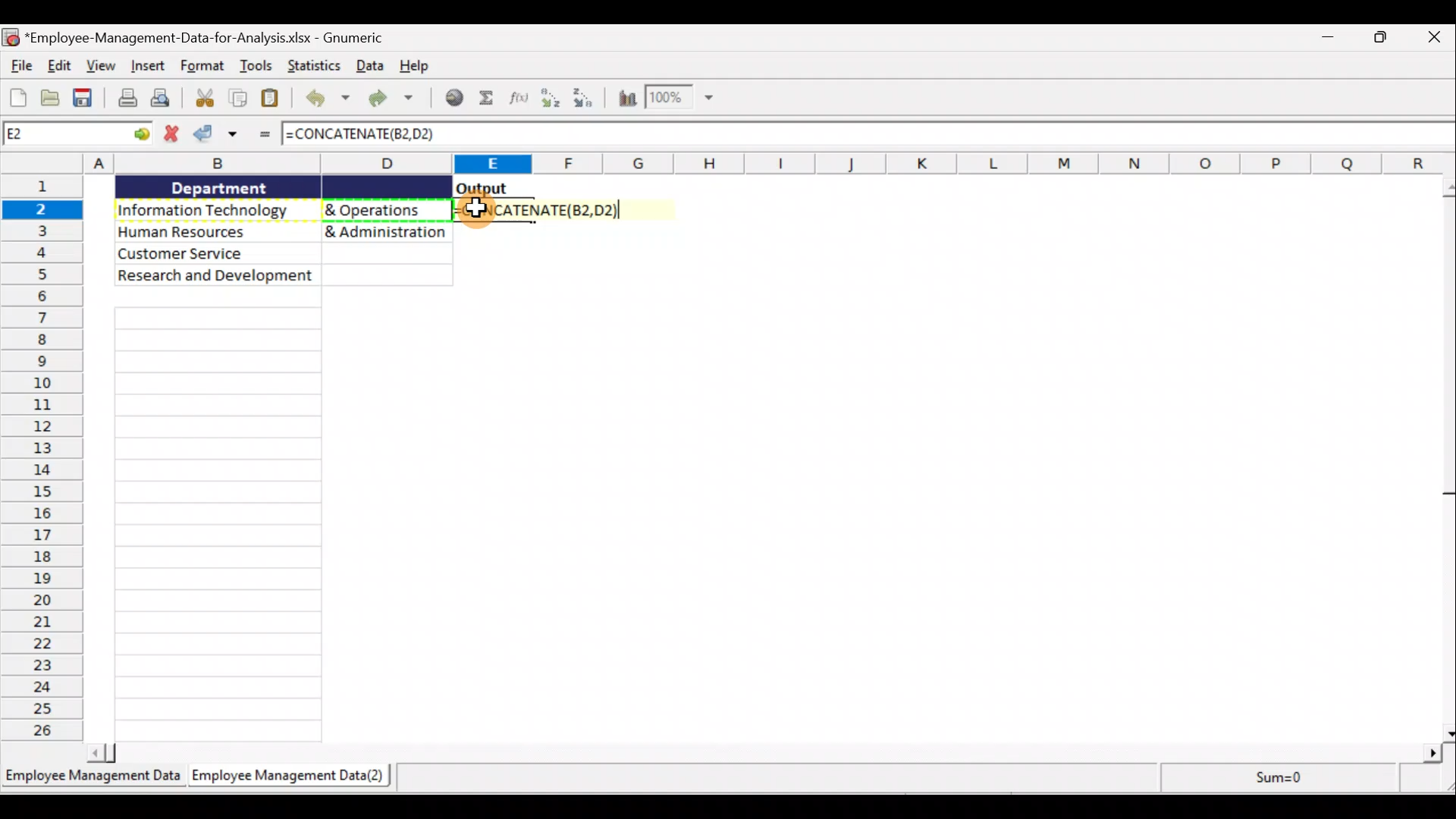  I want to click on Help, so click(412, 65).